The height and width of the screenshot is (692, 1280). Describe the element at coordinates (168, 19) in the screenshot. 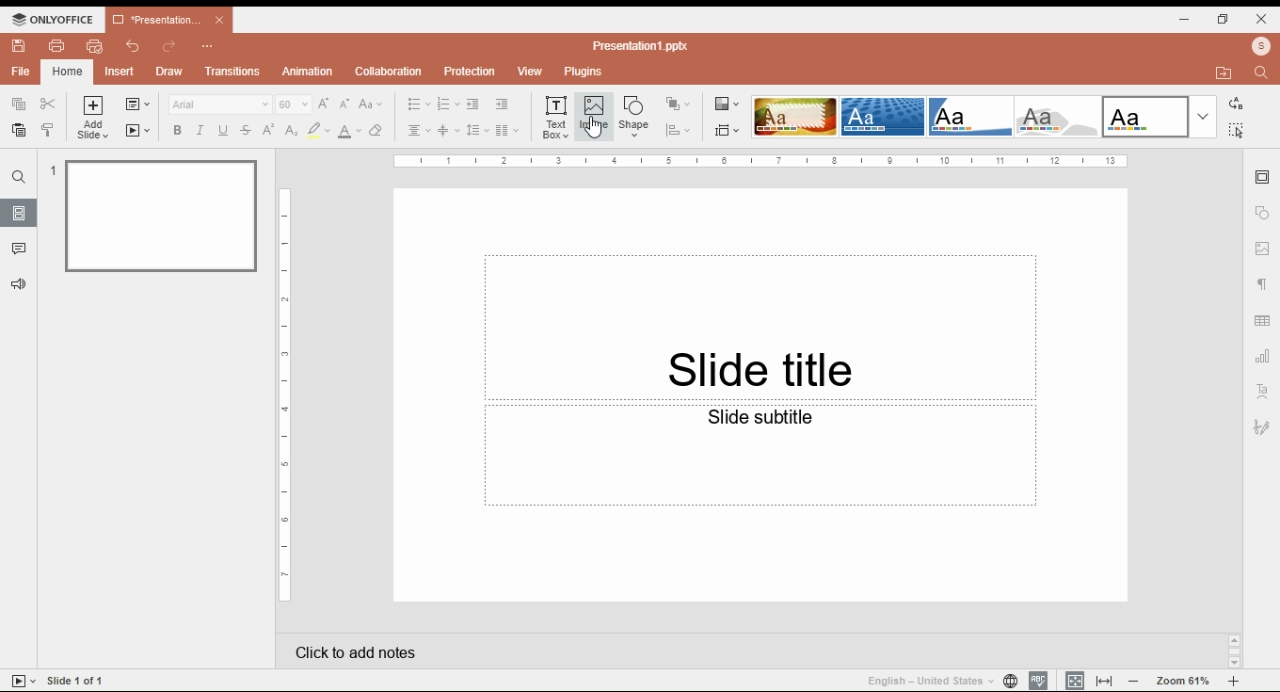

I see `presentation 1` at that location.